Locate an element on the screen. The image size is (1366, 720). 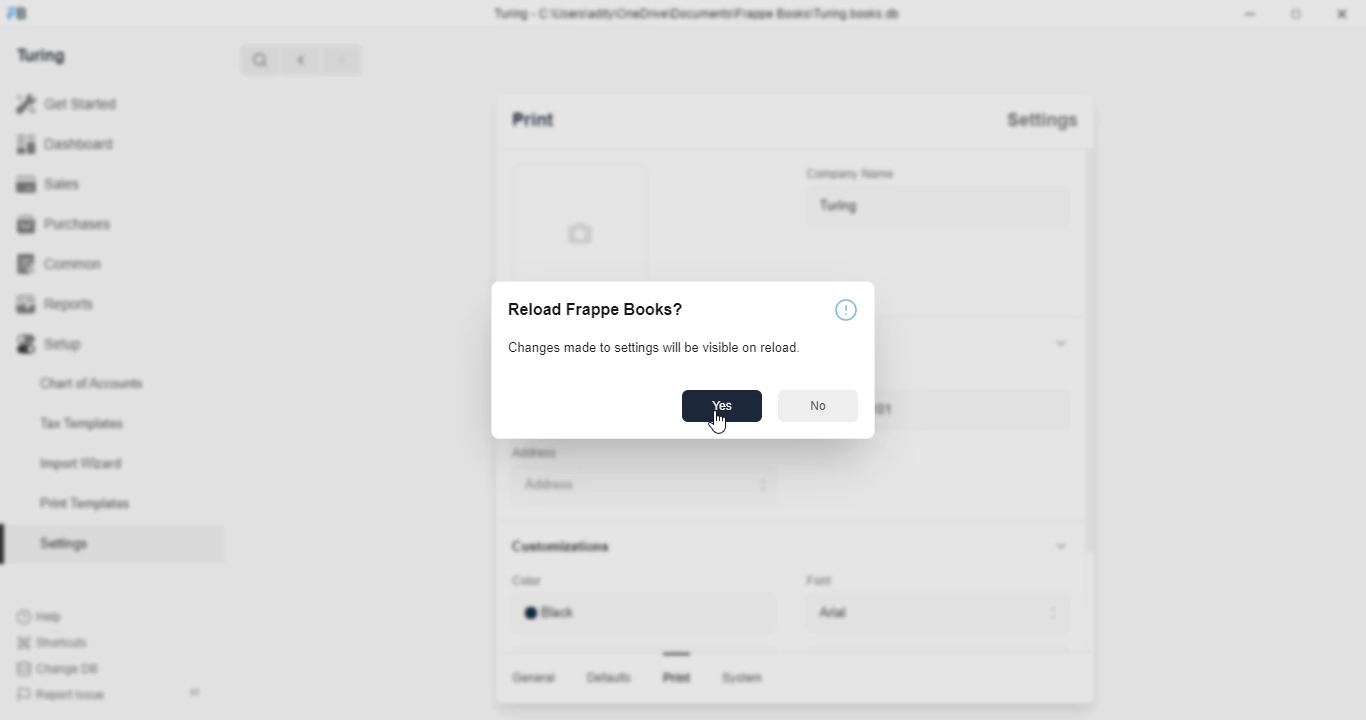
Setup is located at coordinates (108, 341).